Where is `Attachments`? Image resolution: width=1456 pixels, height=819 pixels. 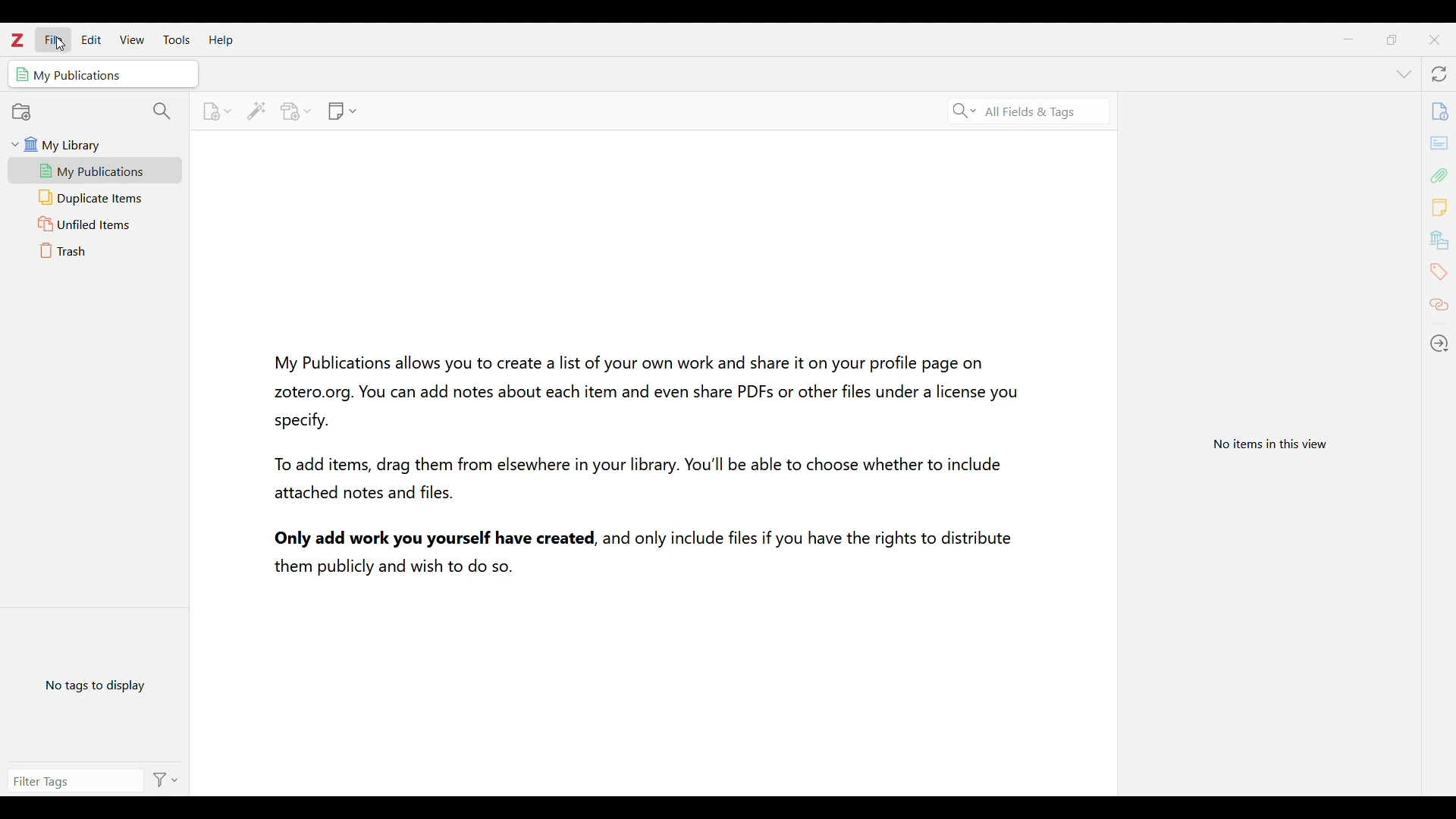 Attachments is located at coordinates (1439, 175).